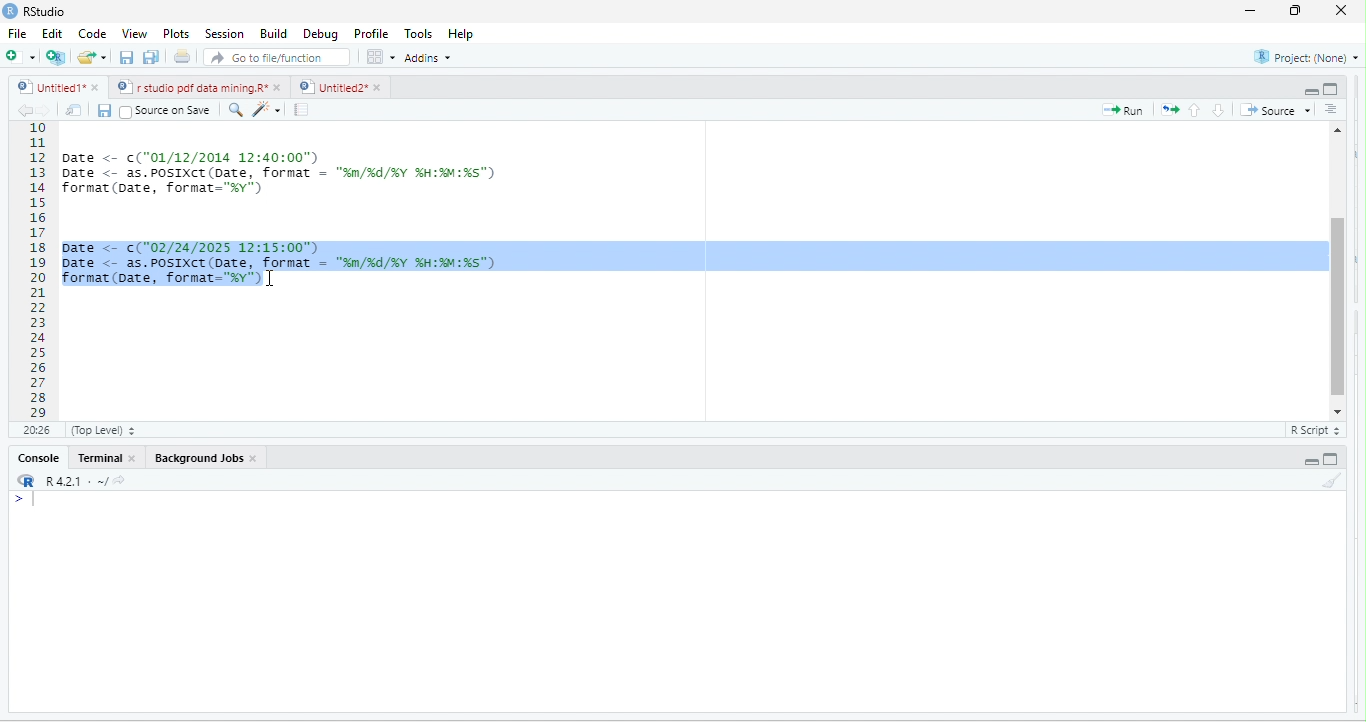  Describe the element at coordinates (272, 60) in the screenshot. I see `go to file/function` at that location.